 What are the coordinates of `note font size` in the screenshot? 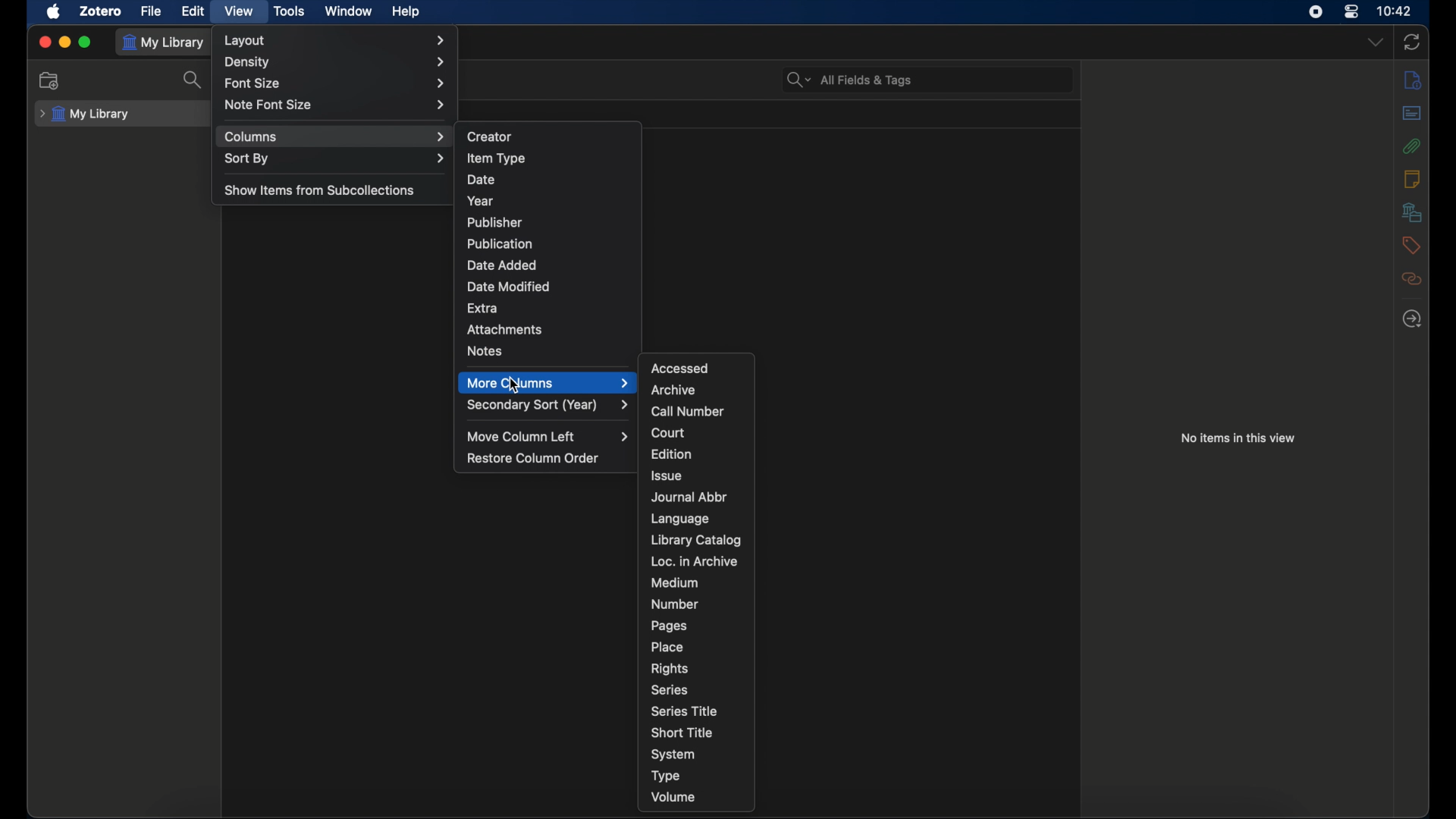 It's located at (335, 105).